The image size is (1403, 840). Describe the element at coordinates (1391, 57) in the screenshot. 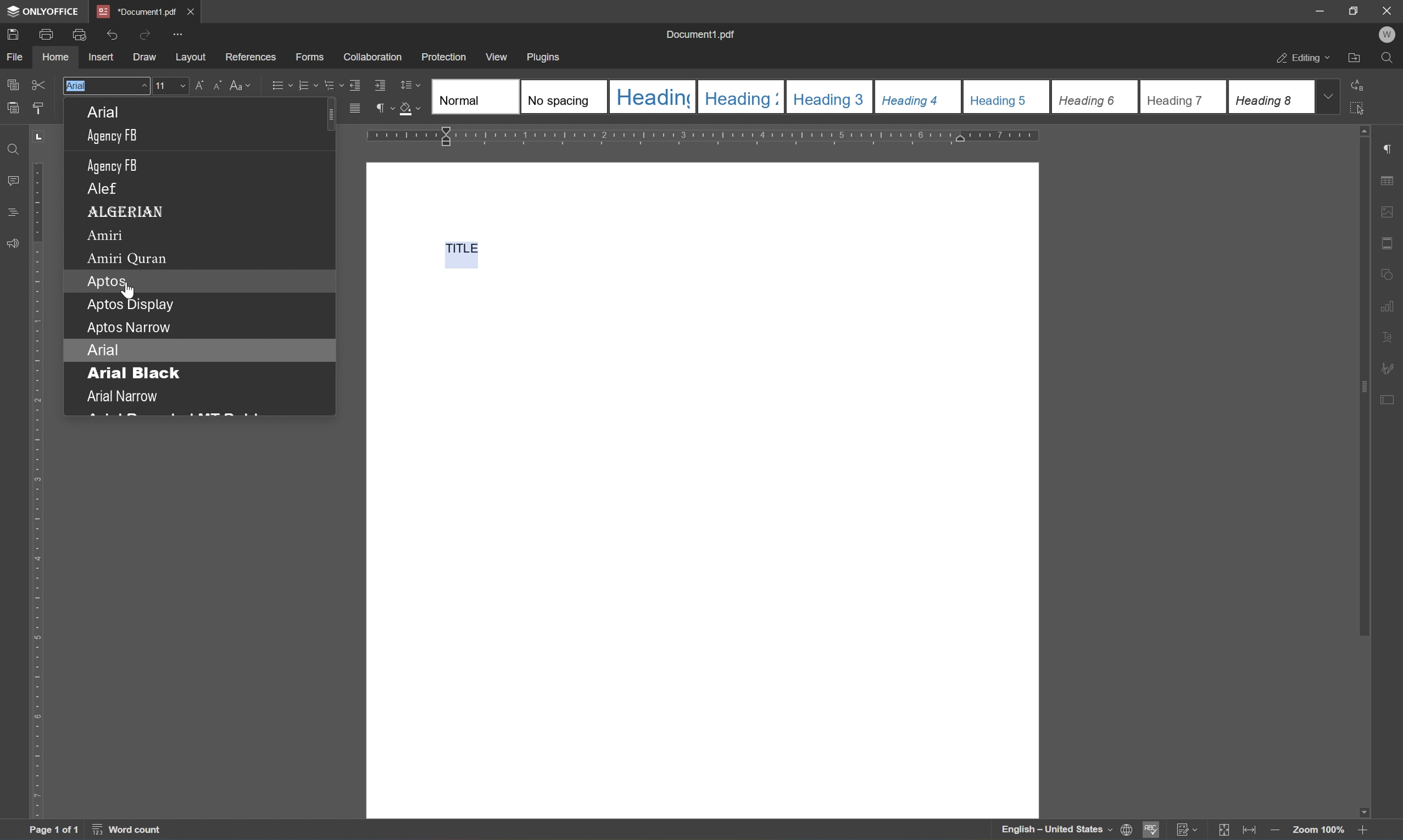

I see `find` at that location.